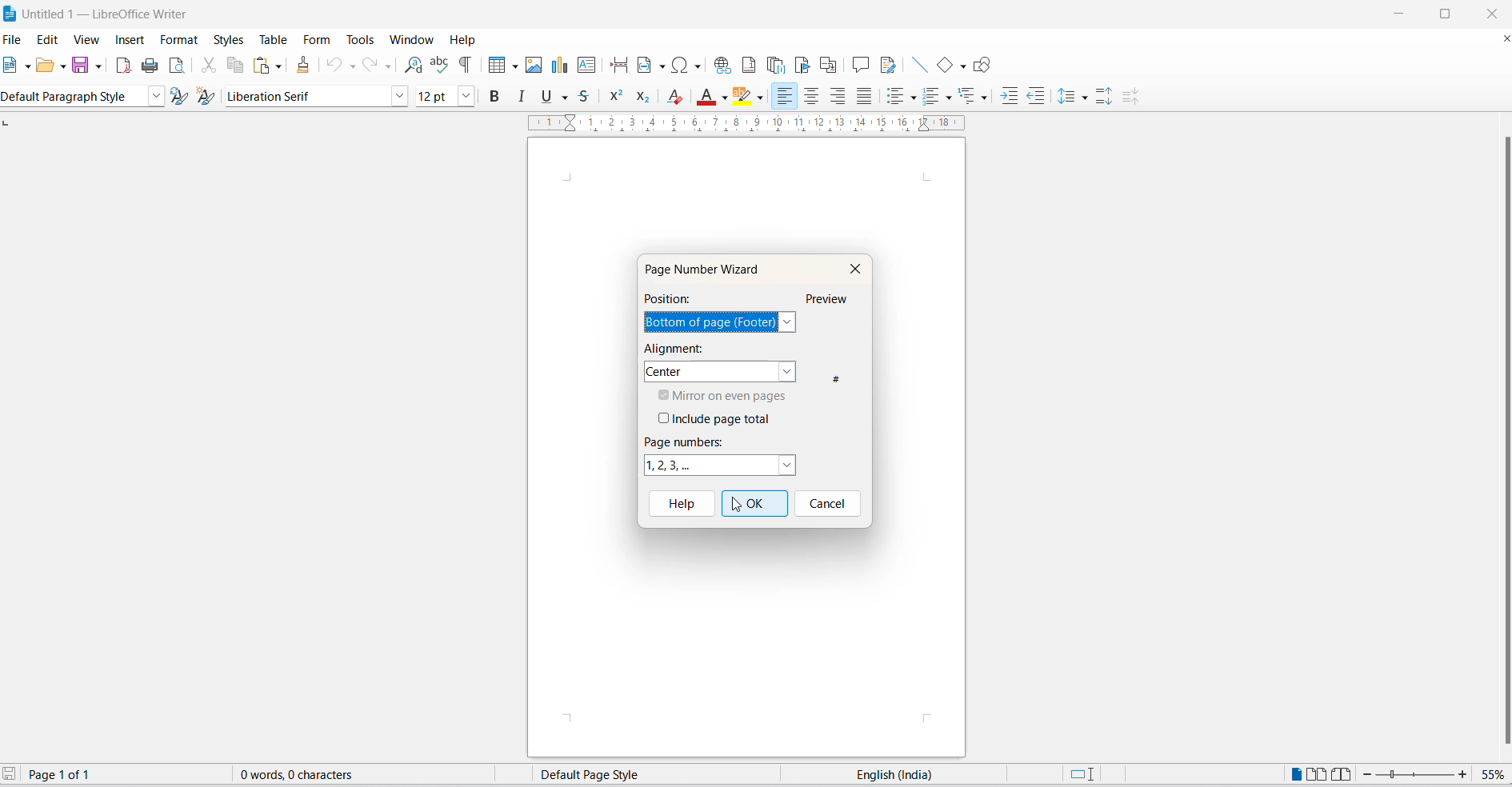  What do you see at coordinates (210, 66) in the screenshot?
I see `cut` at bounding box center [210, 66].